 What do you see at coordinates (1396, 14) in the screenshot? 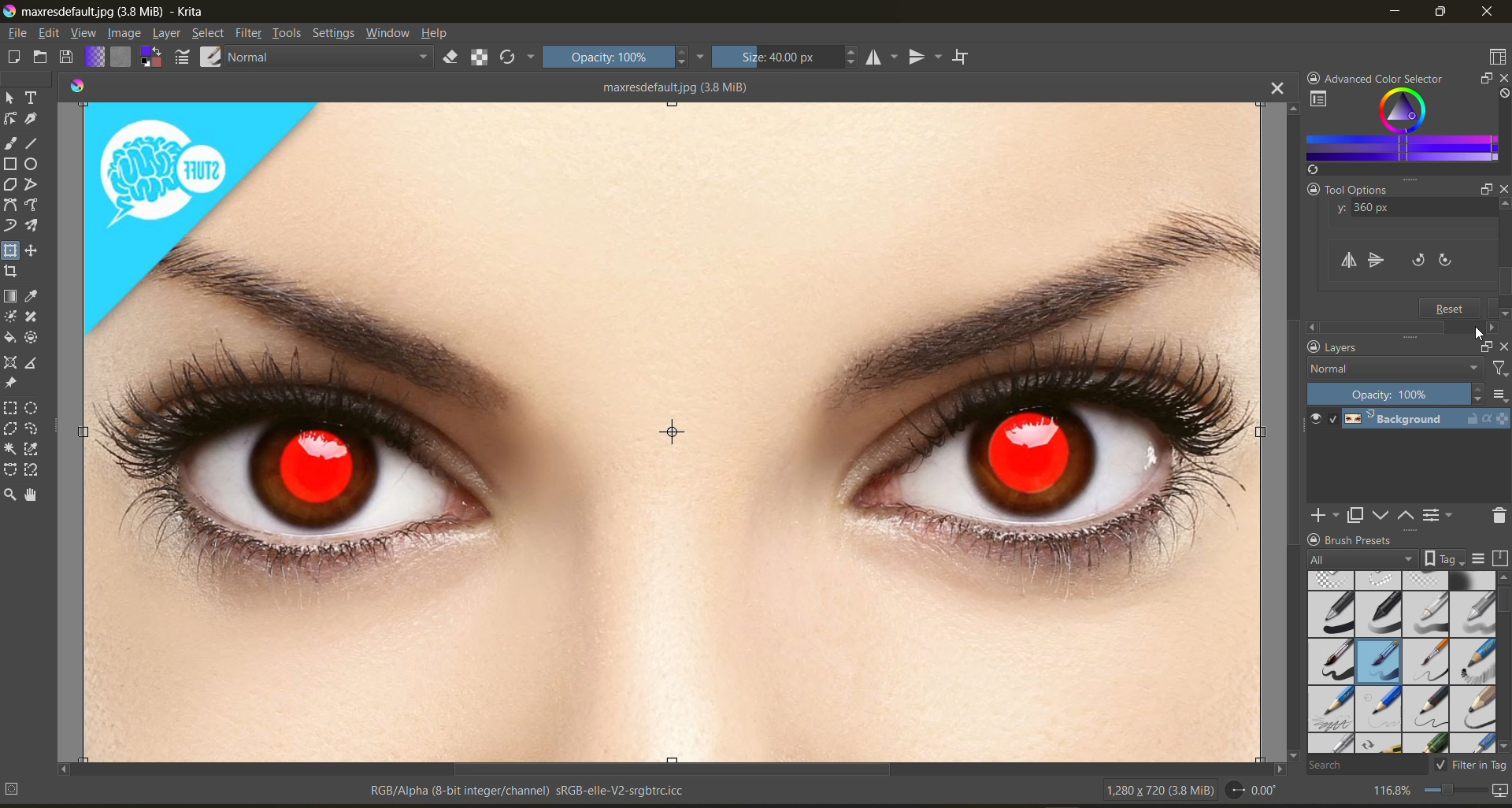
I see `minimize` at bounding box center [1396, 14].